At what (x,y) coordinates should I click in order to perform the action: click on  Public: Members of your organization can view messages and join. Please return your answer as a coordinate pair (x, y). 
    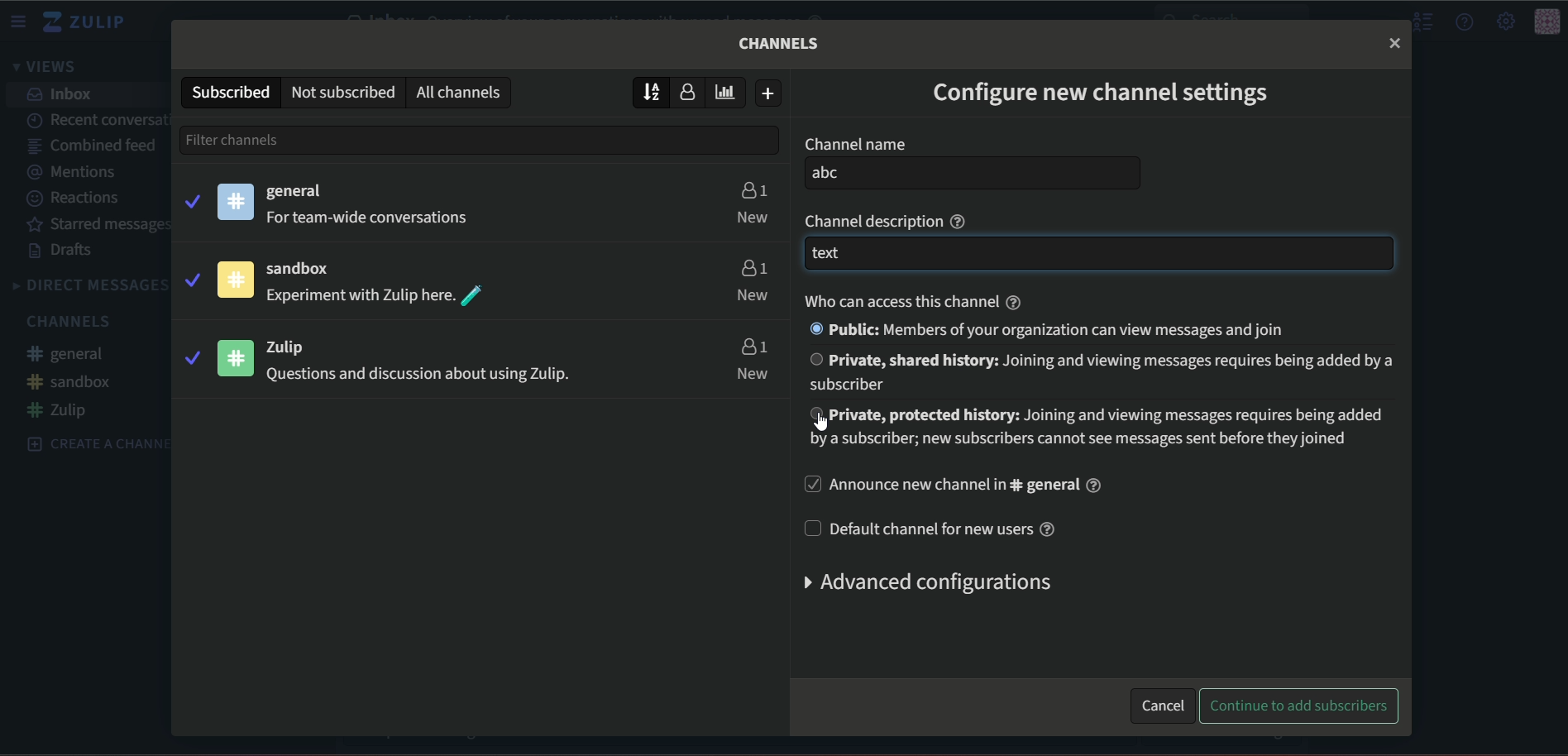
    Looking at the image, I should click on (1053, 329).